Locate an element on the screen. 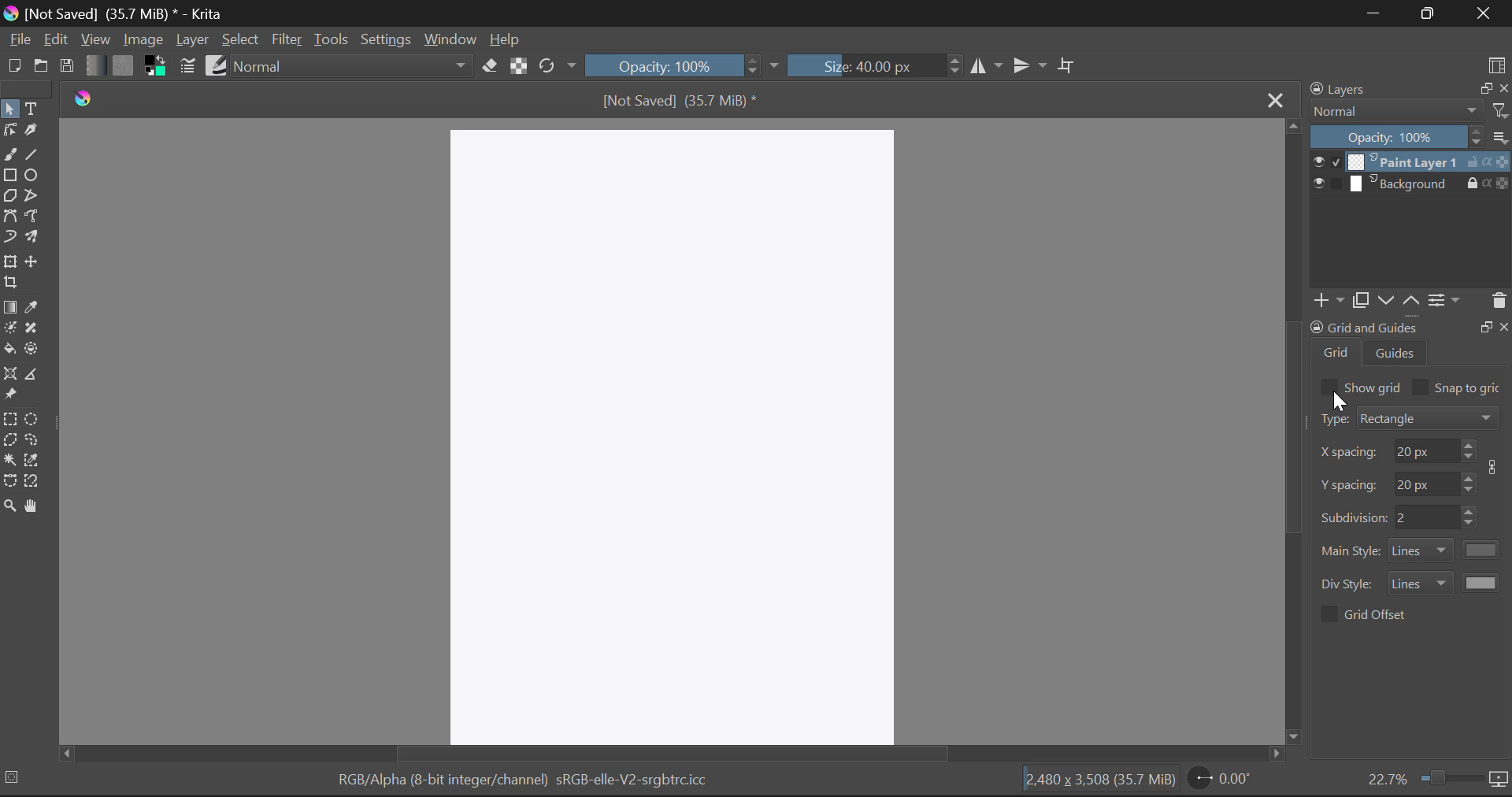 The height and width of the screenshot is (797, 1512). Text is located at coordinates (34, 109).